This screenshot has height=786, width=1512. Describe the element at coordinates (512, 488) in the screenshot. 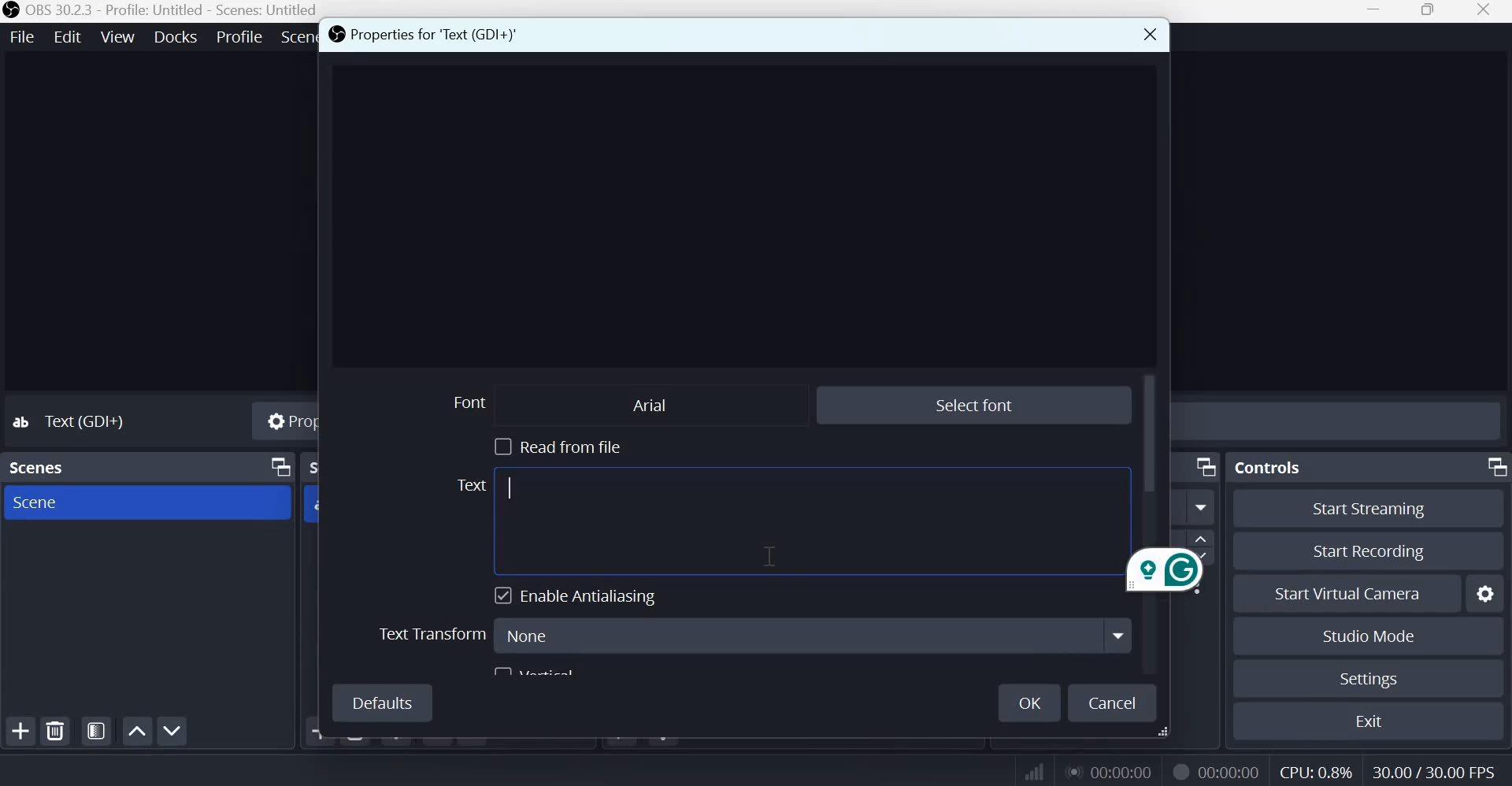

I see `cursor` at that location.